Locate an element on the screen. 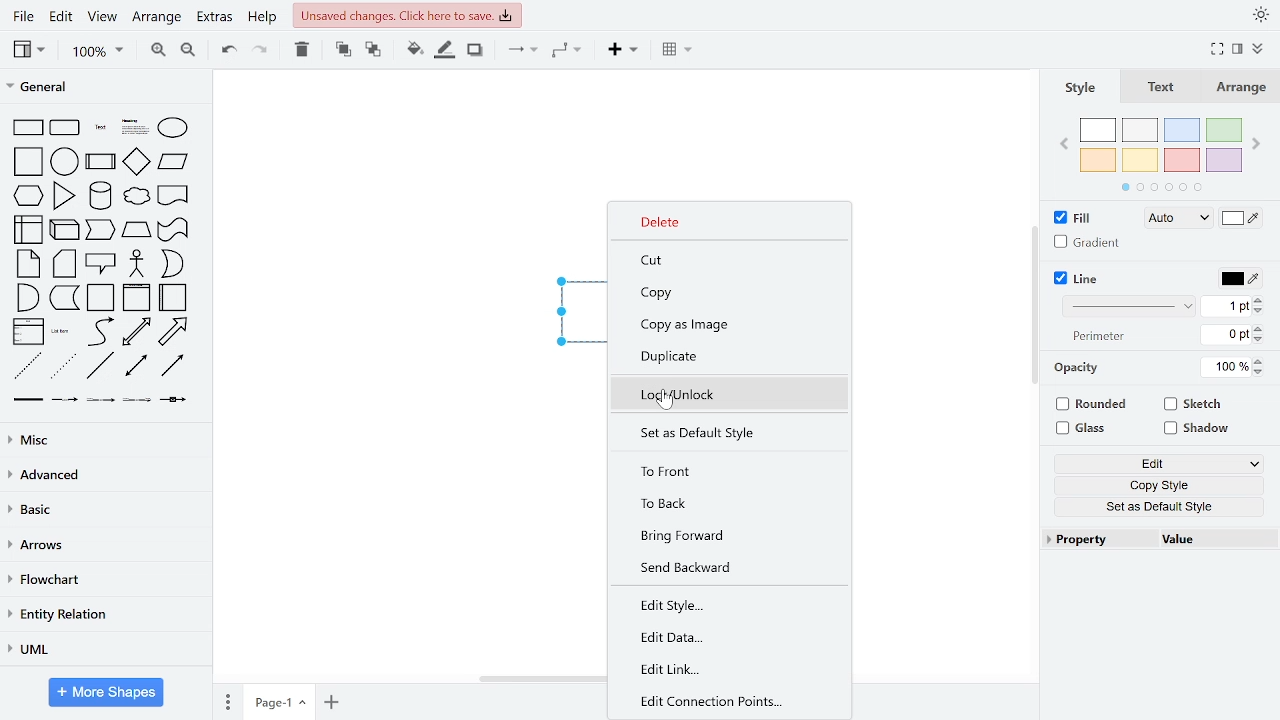  hexagon is located at coordinates (27, 195).